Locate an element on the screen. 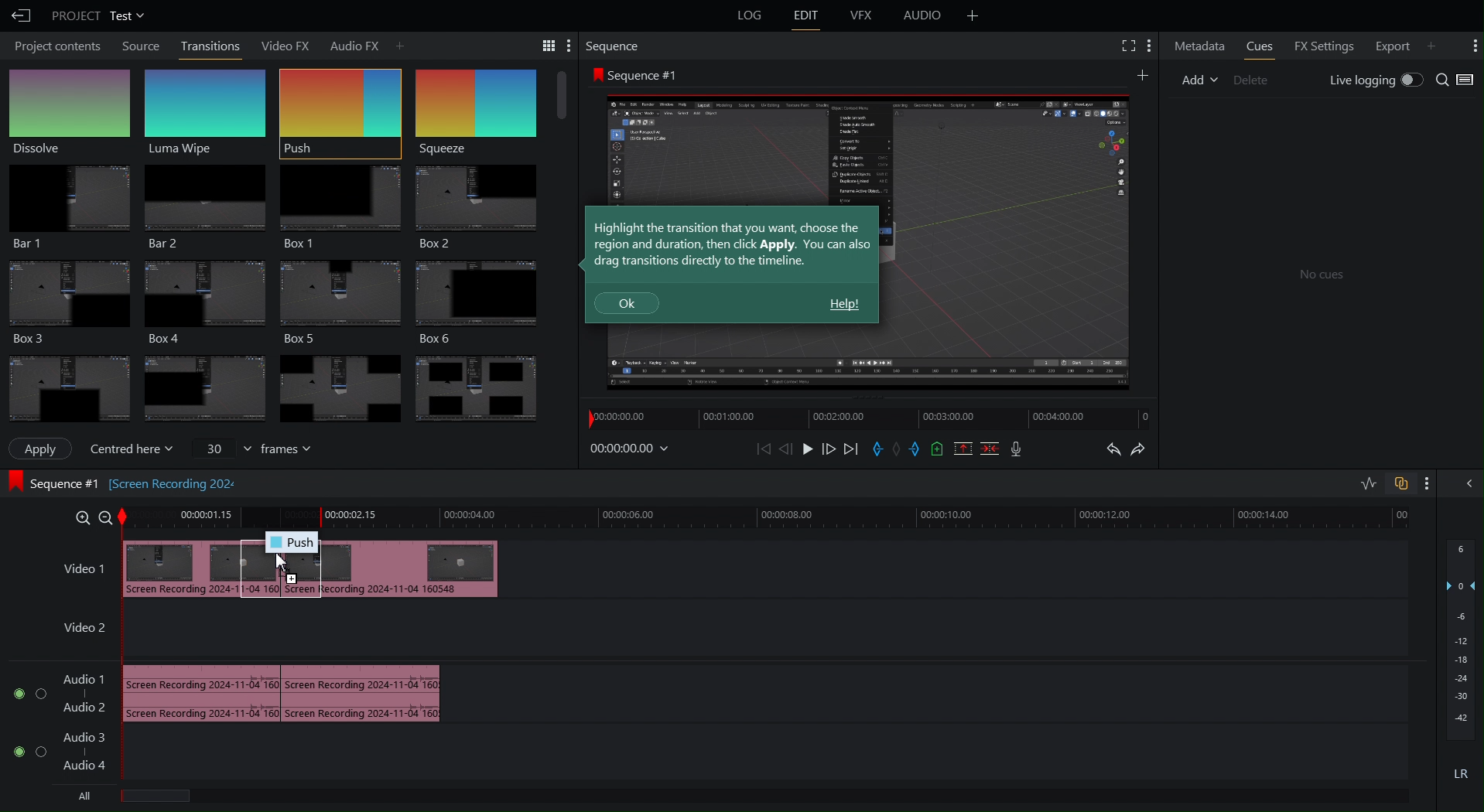 The height and width of the screenshot is (812, 1484). Mic is located at coordinates (1017, 450).